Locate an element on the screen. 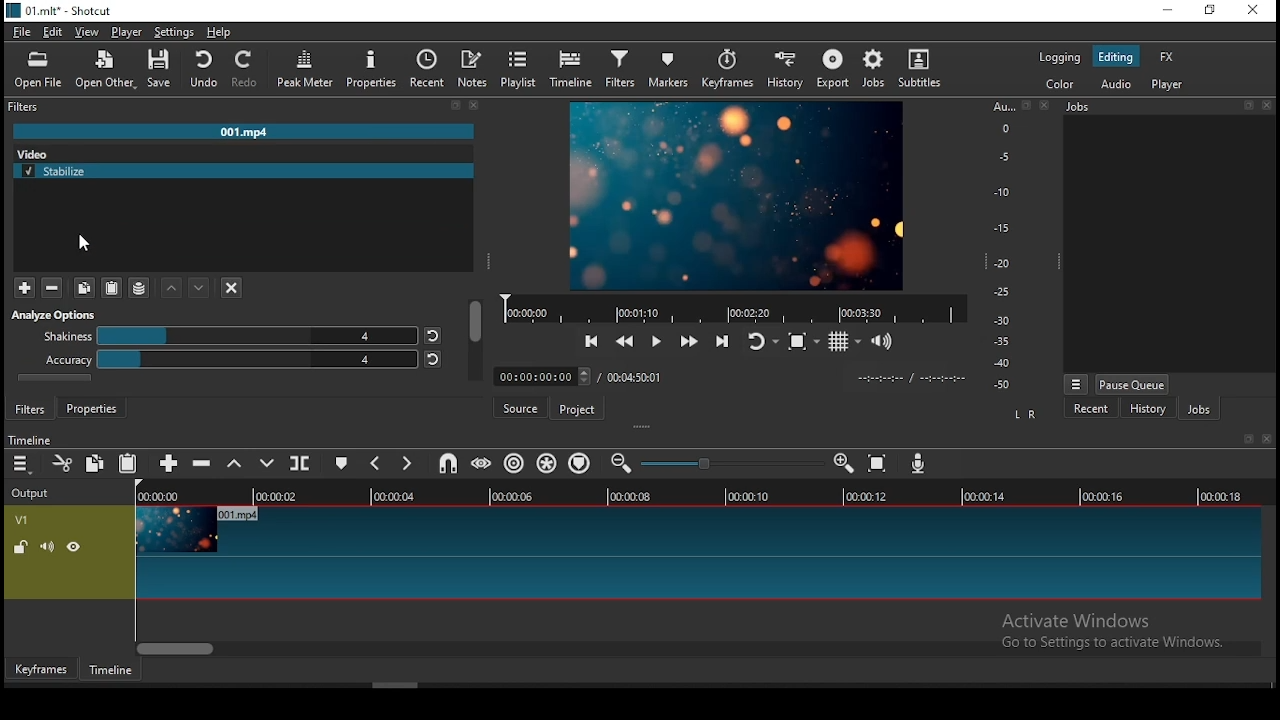 The height and width of the screenshot is (720, 1280). forward is located at coordinates (690, 341).